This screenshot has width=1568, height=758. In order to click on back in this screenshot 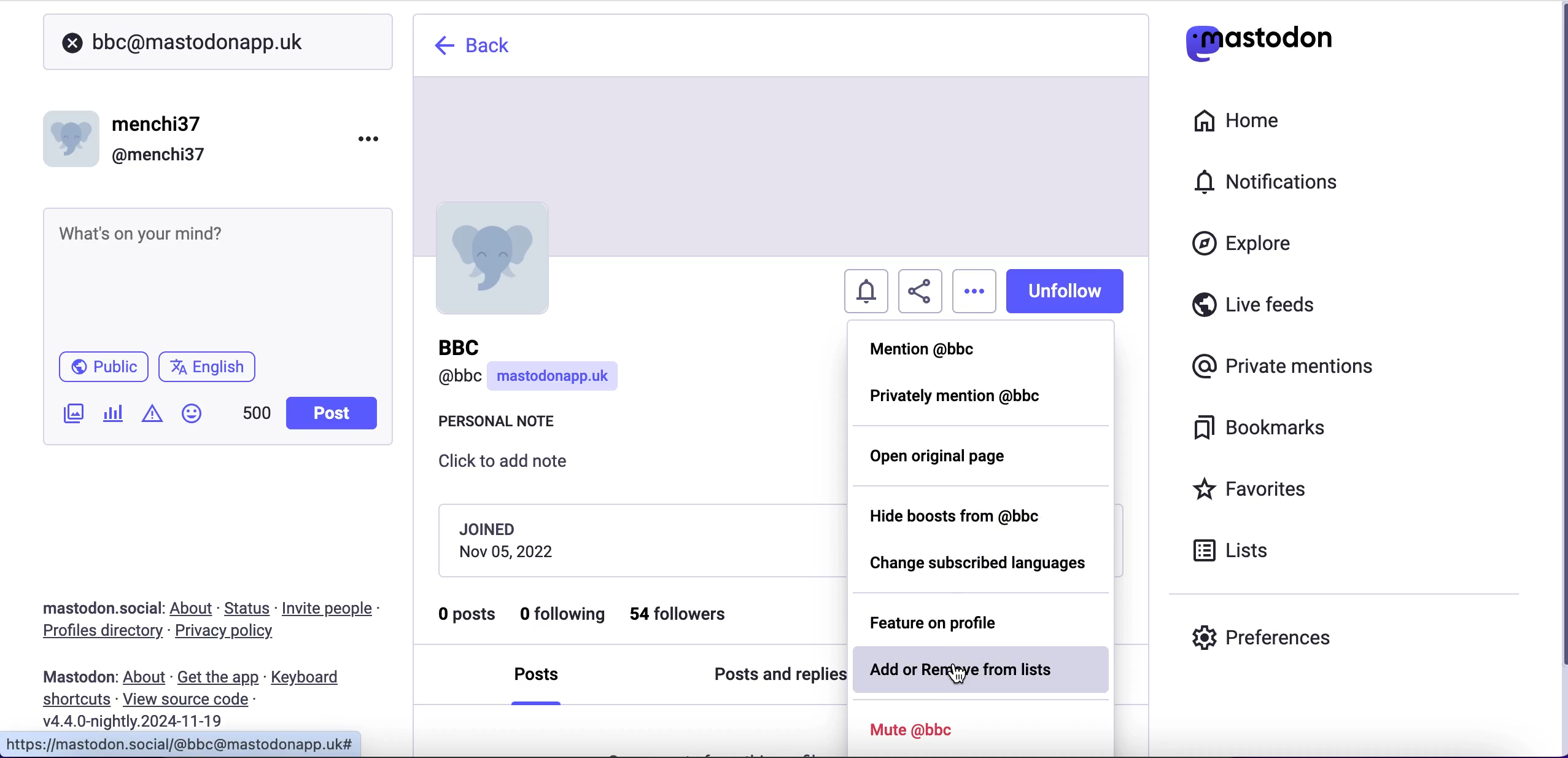, I will do `click(475, 45)`.